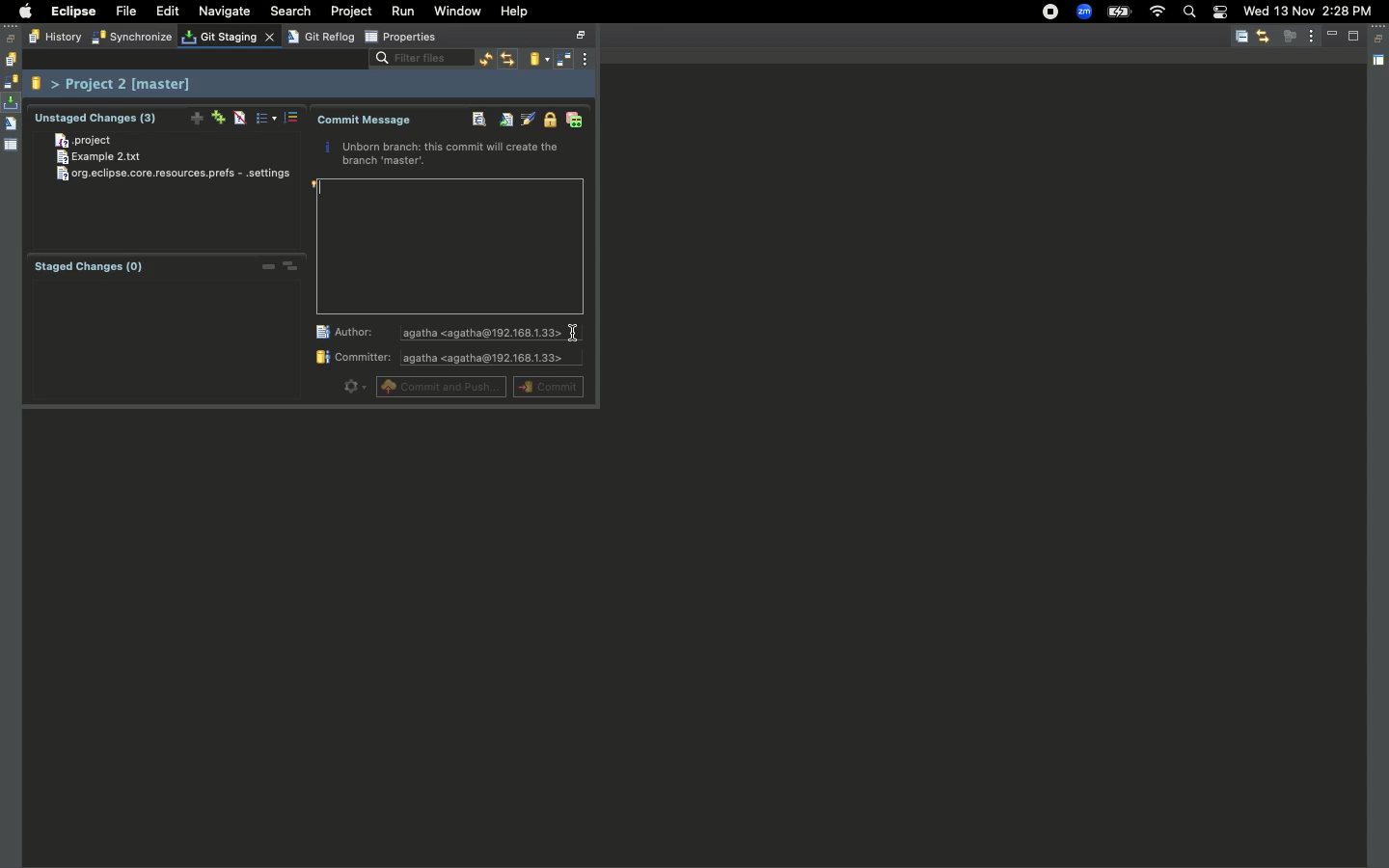 Image resolution: width=1389 pixels, height=868 pixels. I want to click on Unborn branch: this commit will create the branch 'master'., so click(444, 155).